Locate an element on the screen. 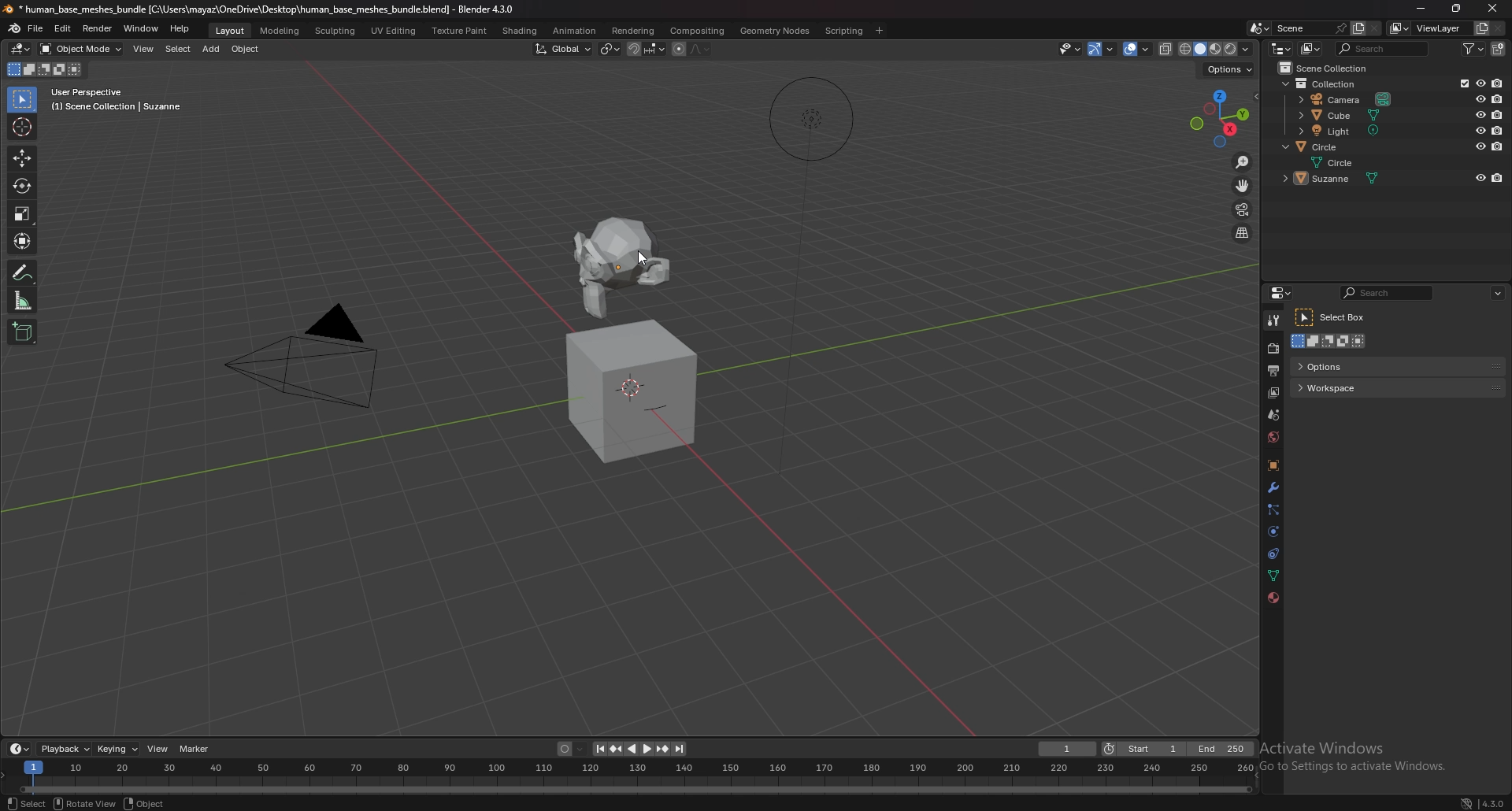 This screenshot has height=811, width=1512. light is located at coordinates (1340, 131).